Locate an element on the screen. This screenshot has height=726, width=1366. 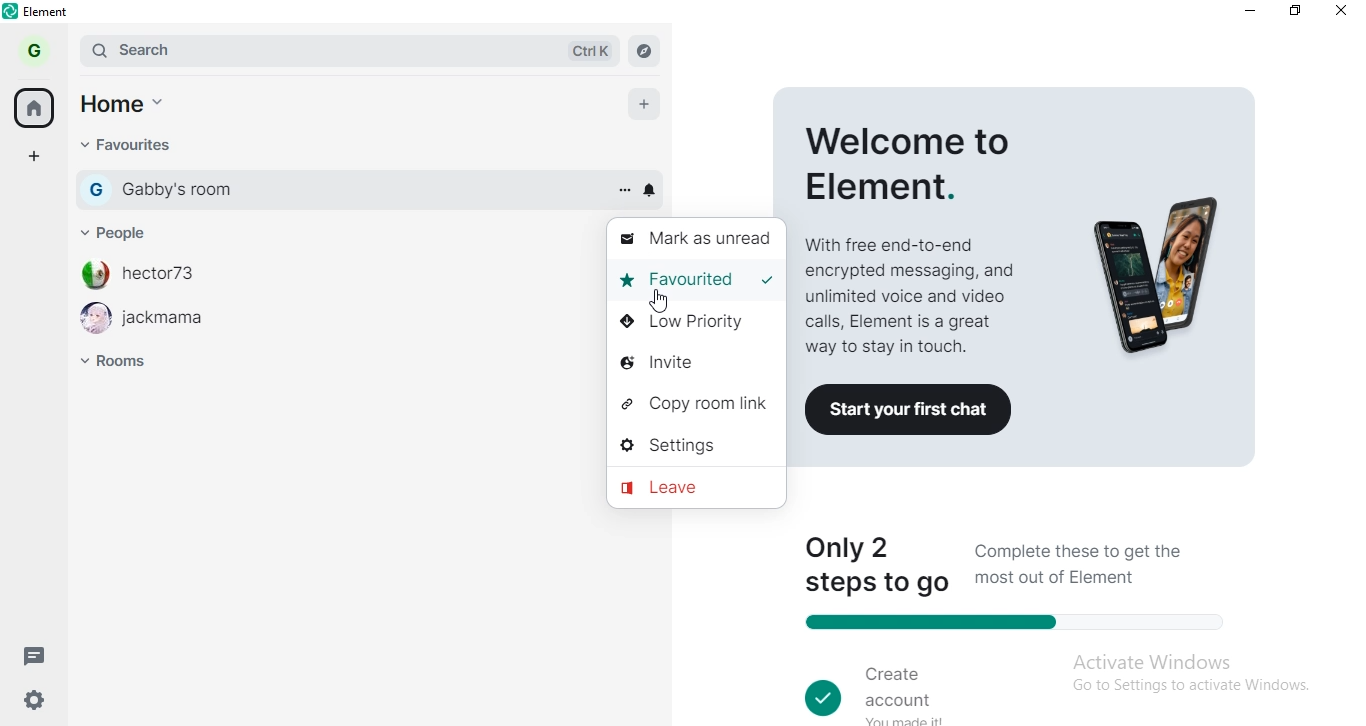
ctrl k is located at coordinates (585, 50).